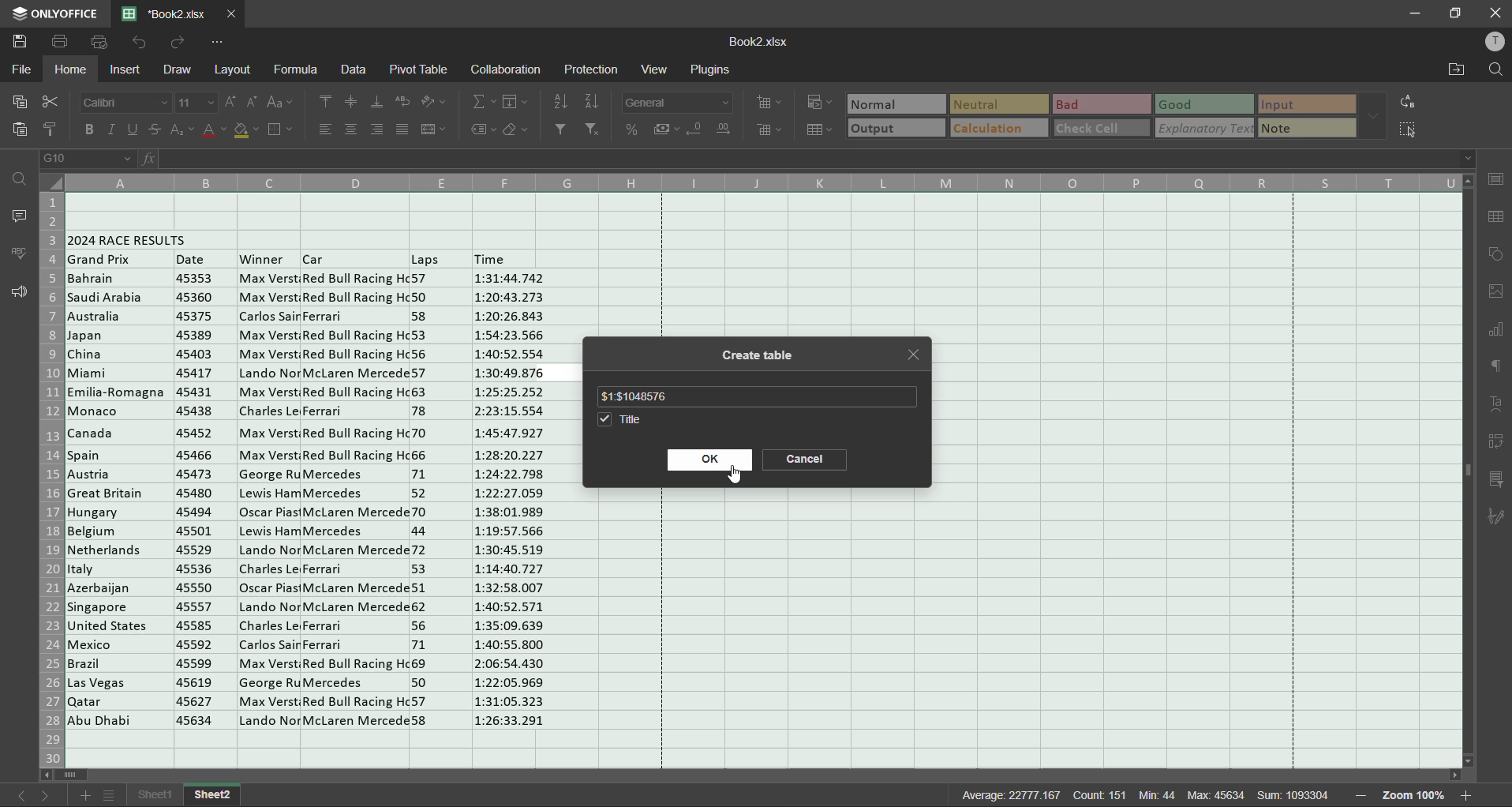 This screenshot has width=1512, height=807. What do you see at coordinates (436, 130) in the screenshot?
I see `merge and center` at bounding box center [436, 130].